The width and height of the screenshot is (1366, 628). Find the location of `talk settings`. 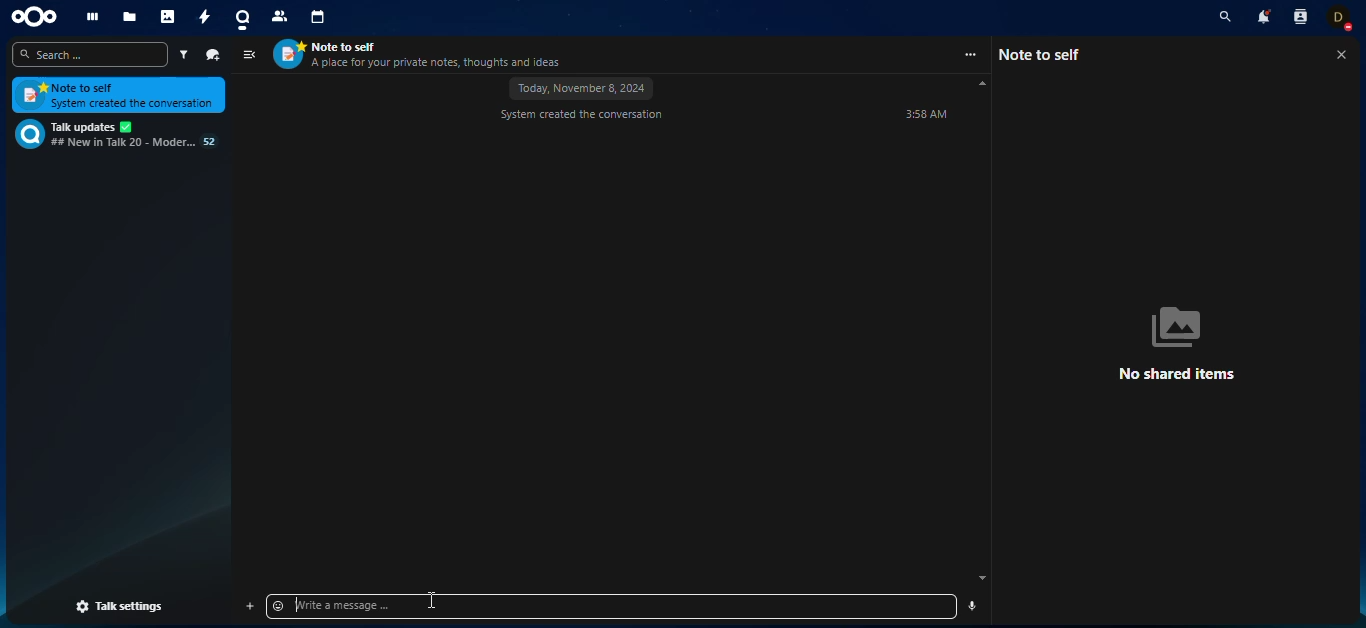

talk settings is located at coordinates (120, 607).